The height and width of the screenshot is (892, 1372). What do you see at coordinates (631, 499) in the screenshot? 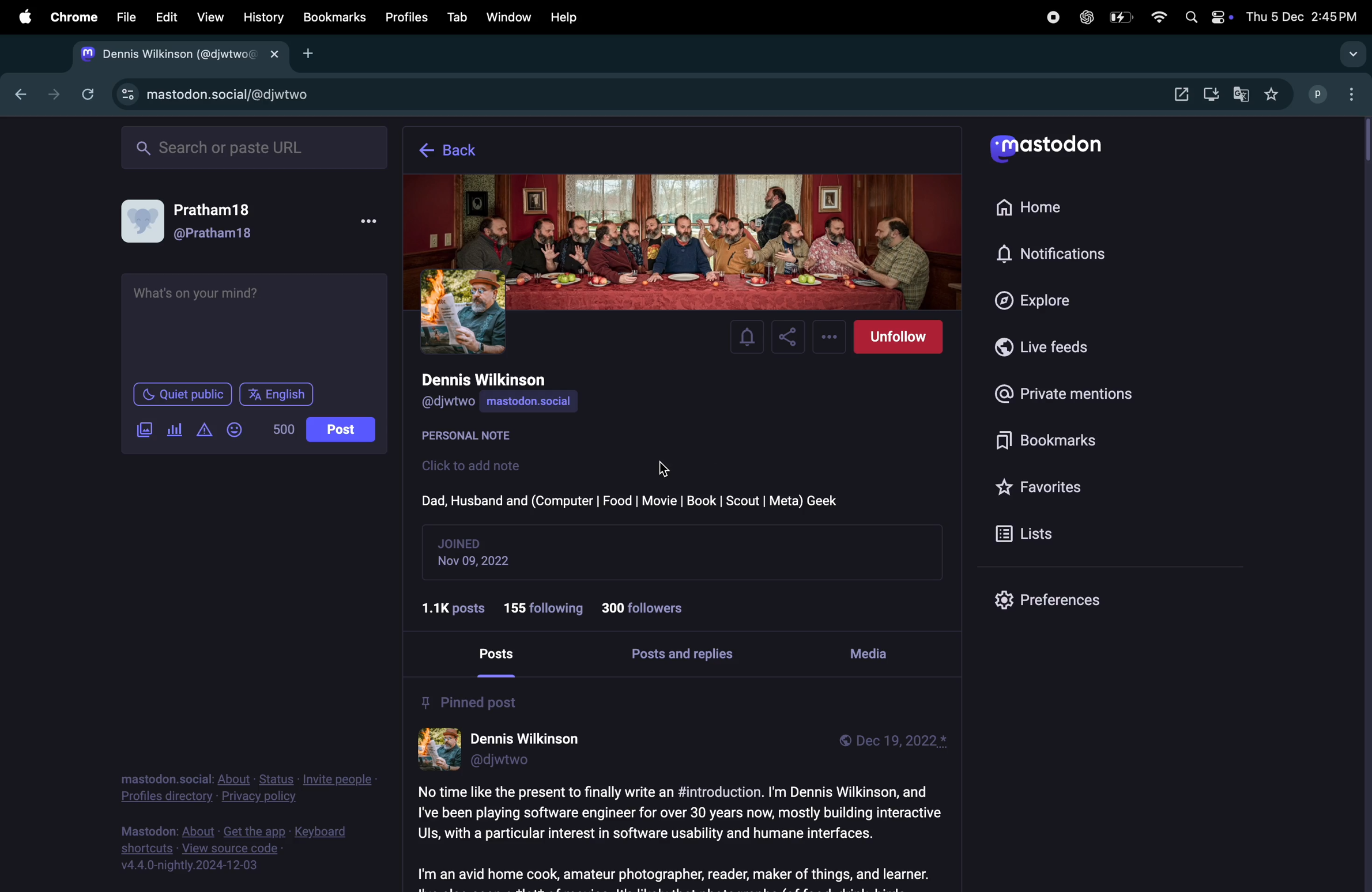
I see `dad husband` at bounding box center [631, 499].